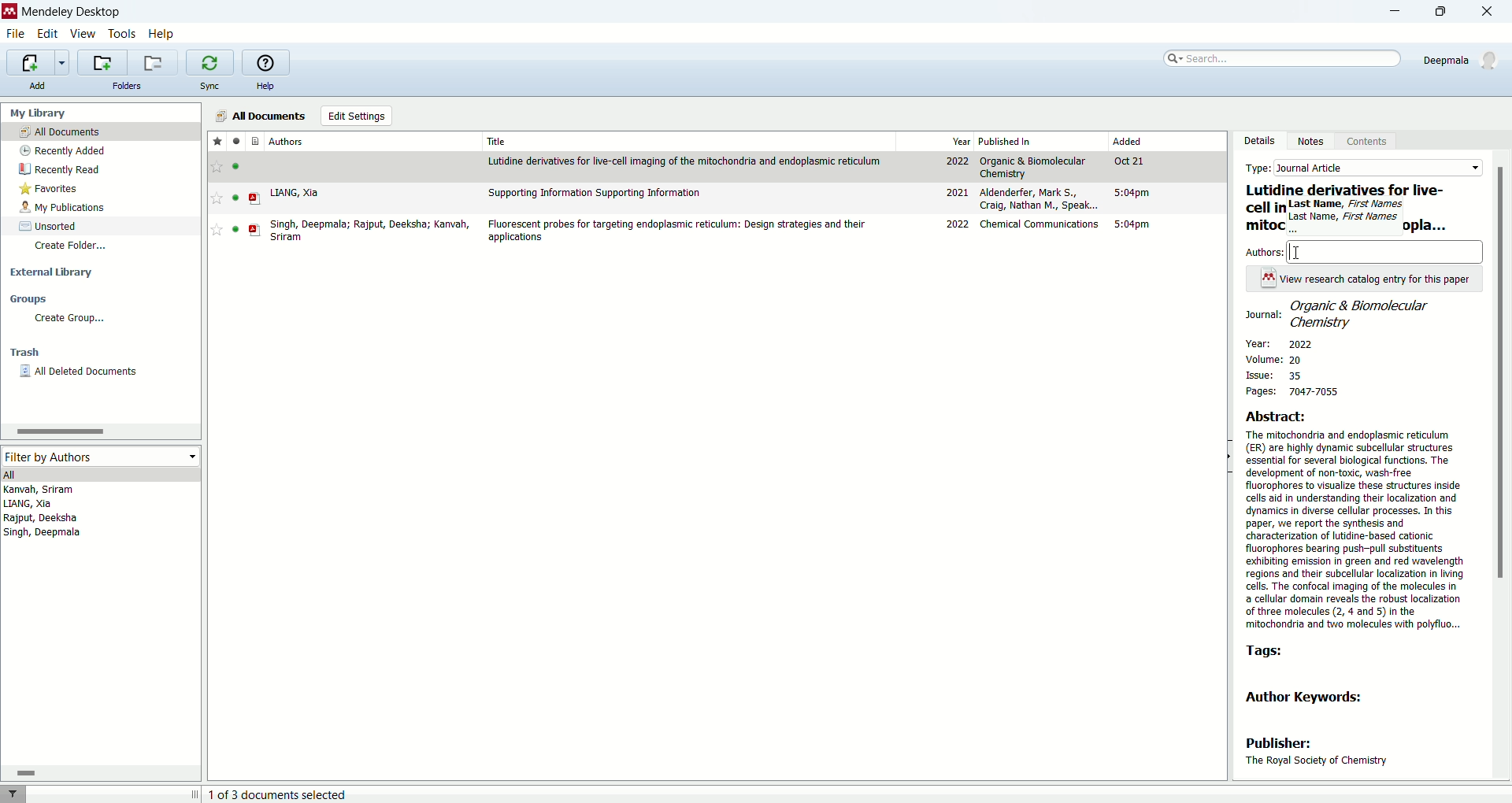 The width and height of the screenshot is (1512, 803). I want to click on filter by authors, so click(101, 455).